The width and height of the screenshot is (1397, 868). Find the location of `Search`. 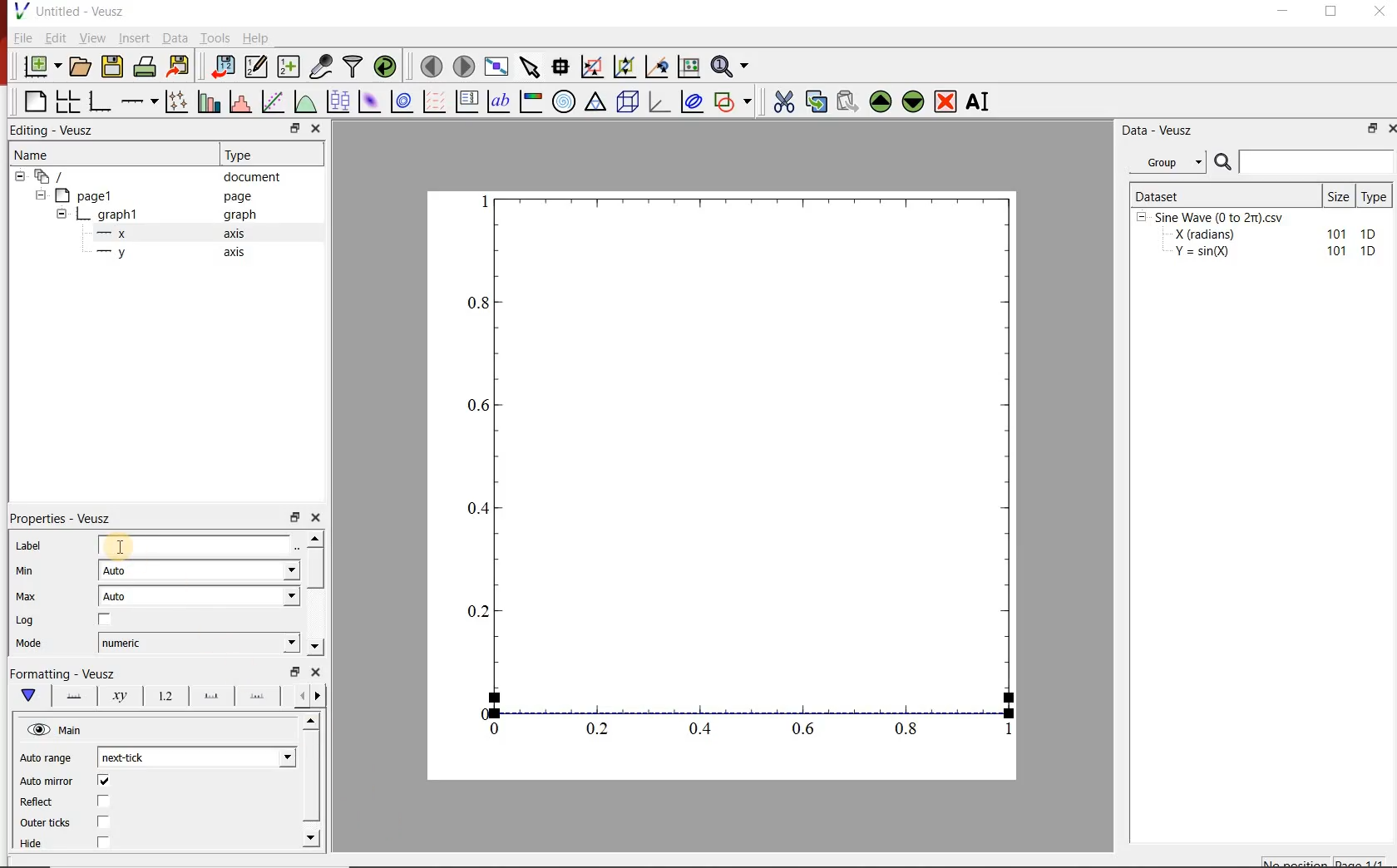

Search is located at coordinates (1305, 162).